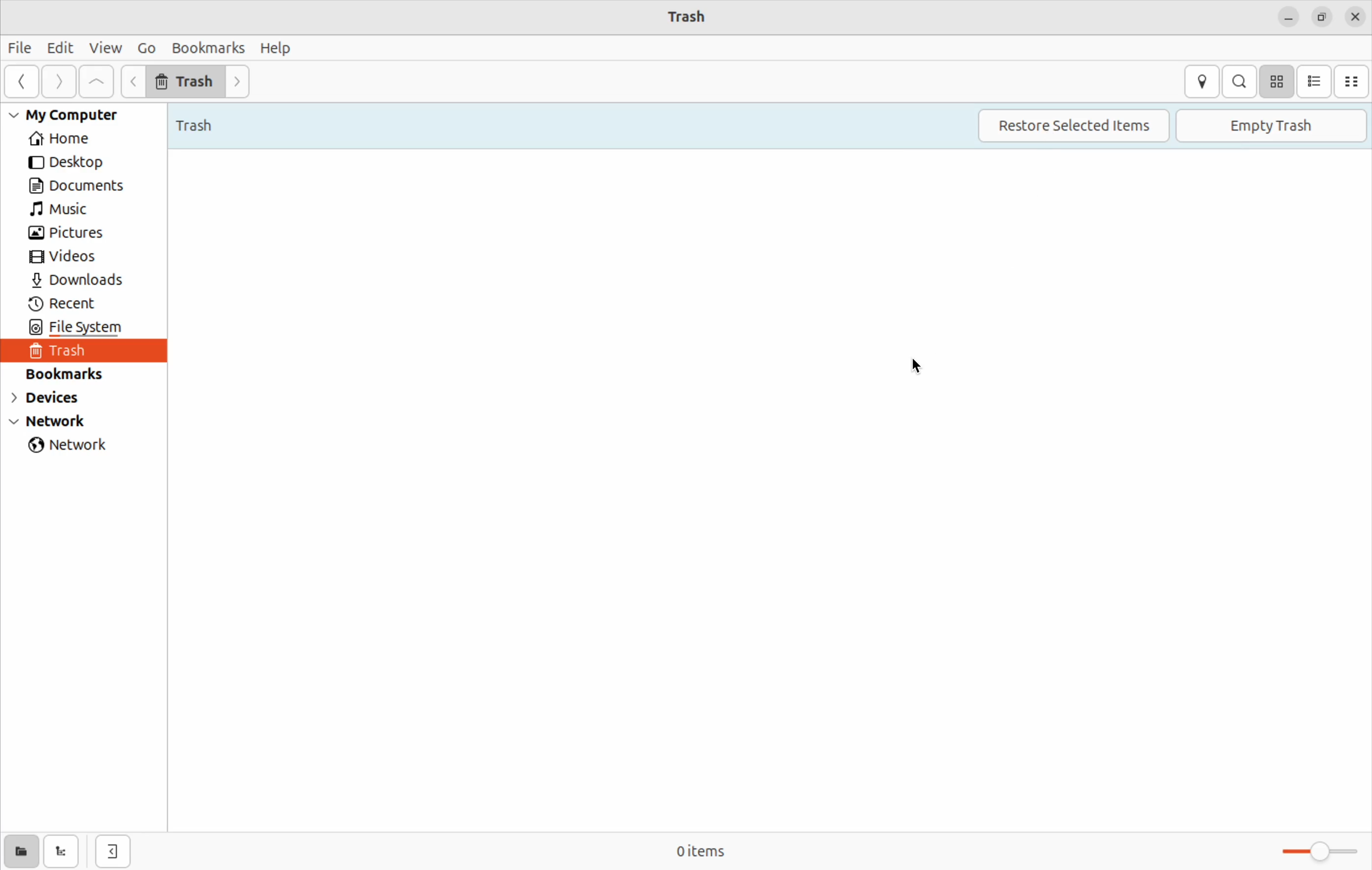  I want to click on view, so click(106, 49).